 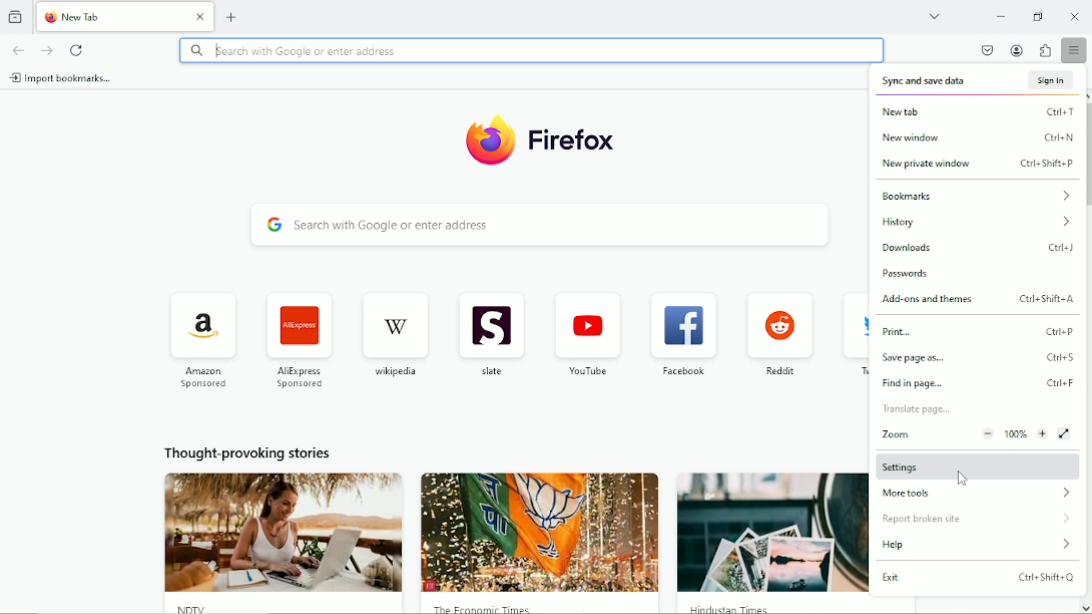 What do you see at coordinates (297, 324) in the screenshot?
I see `icon` at bounding box center [297, 324].